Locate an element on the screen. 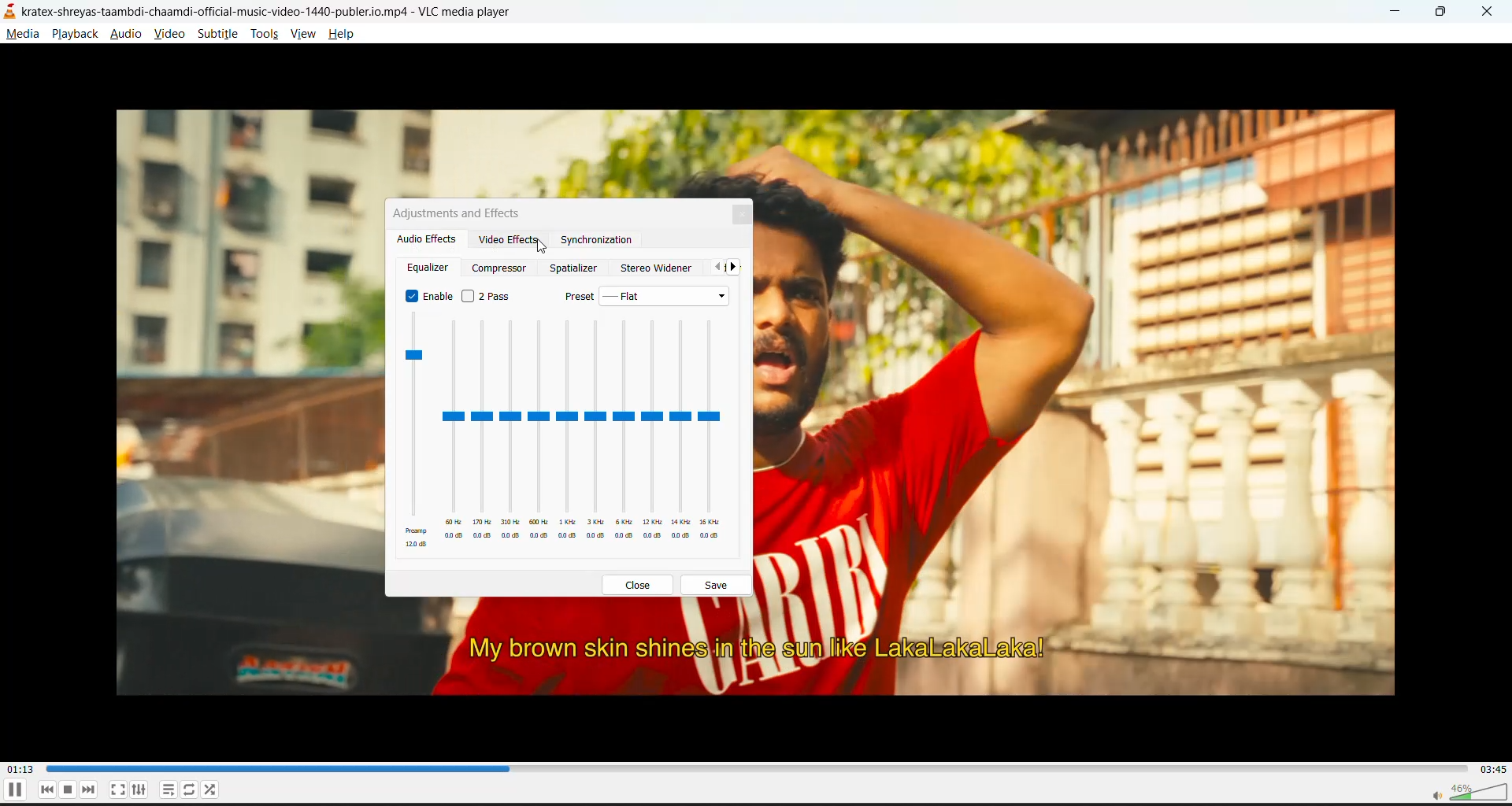 The width and height of the screenshot is (1512, 806). playlist is located at coordinates (166, 790).